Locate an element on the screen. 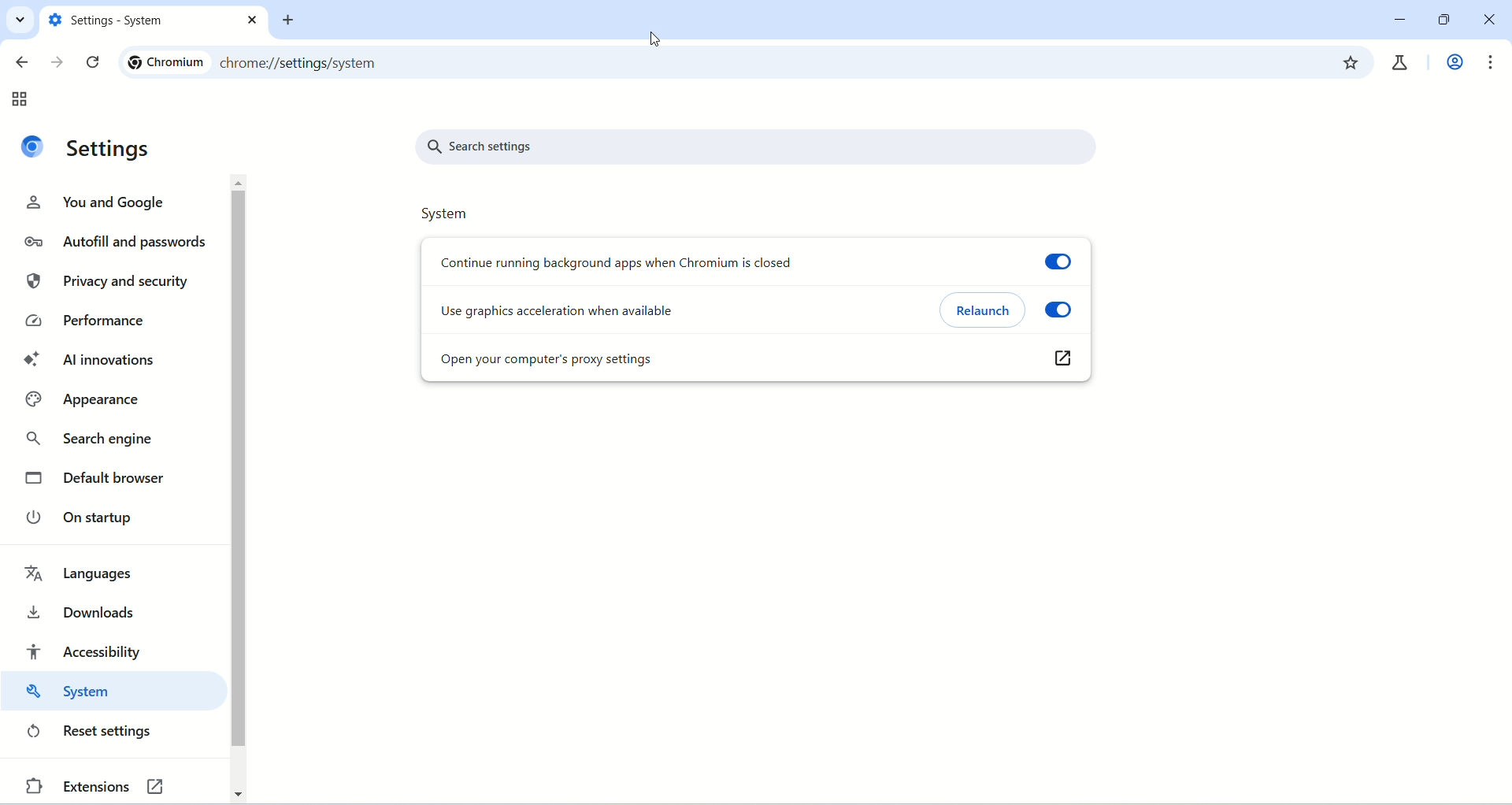 The image size is (1512, 805). Continue running background apps when Chromium is closed is located at coordinates (623, 262).